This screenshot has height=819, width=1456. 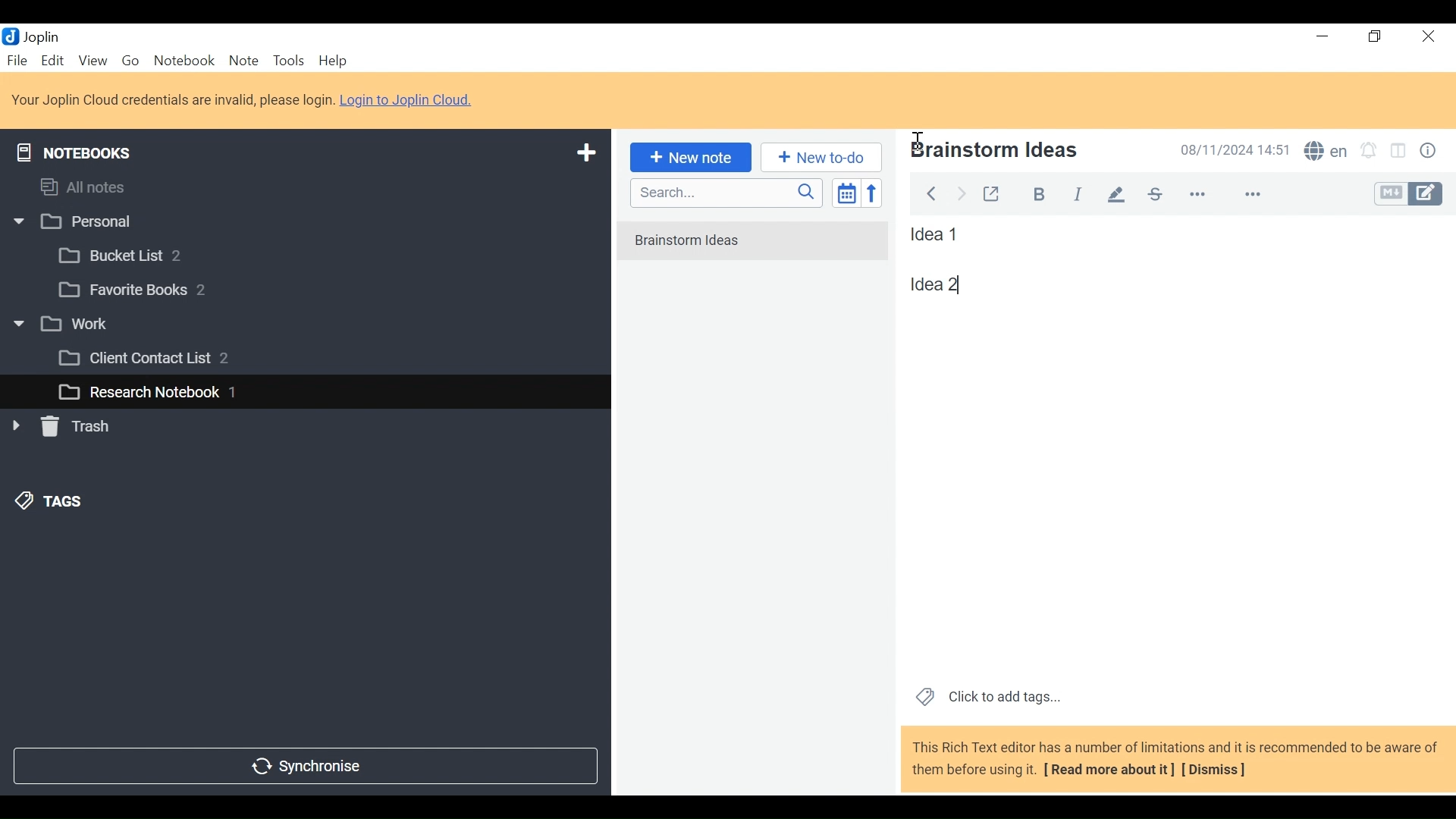 What do you see at coordinates (985, 695) in the screenshot?
I see `Click to add tags` at bounding box center [985, 695].